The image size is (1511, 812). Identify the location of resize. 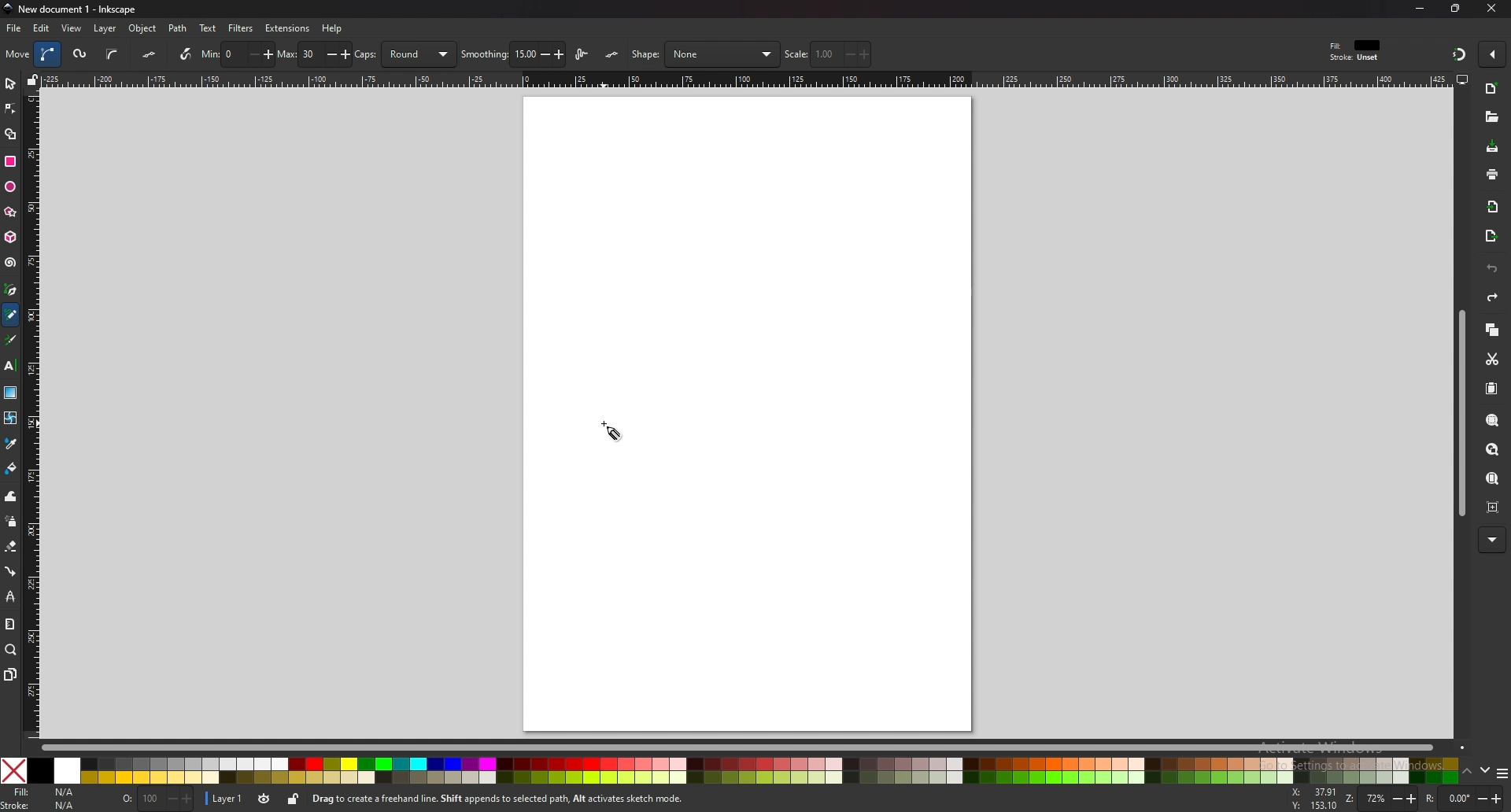
(1454, 9).